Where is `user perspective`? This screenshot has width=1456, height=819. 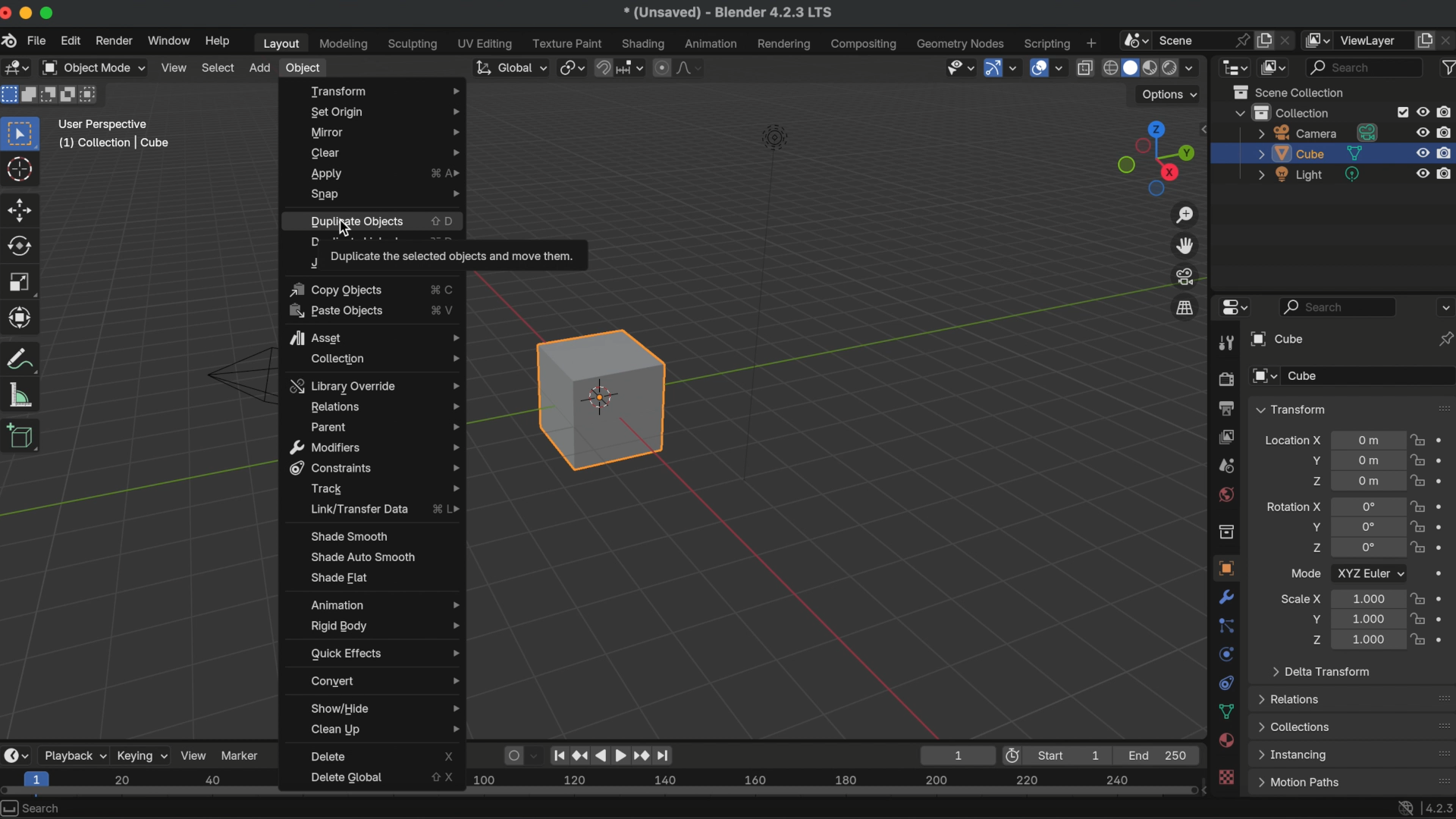 user perspective is located at coordinates (104, 122).